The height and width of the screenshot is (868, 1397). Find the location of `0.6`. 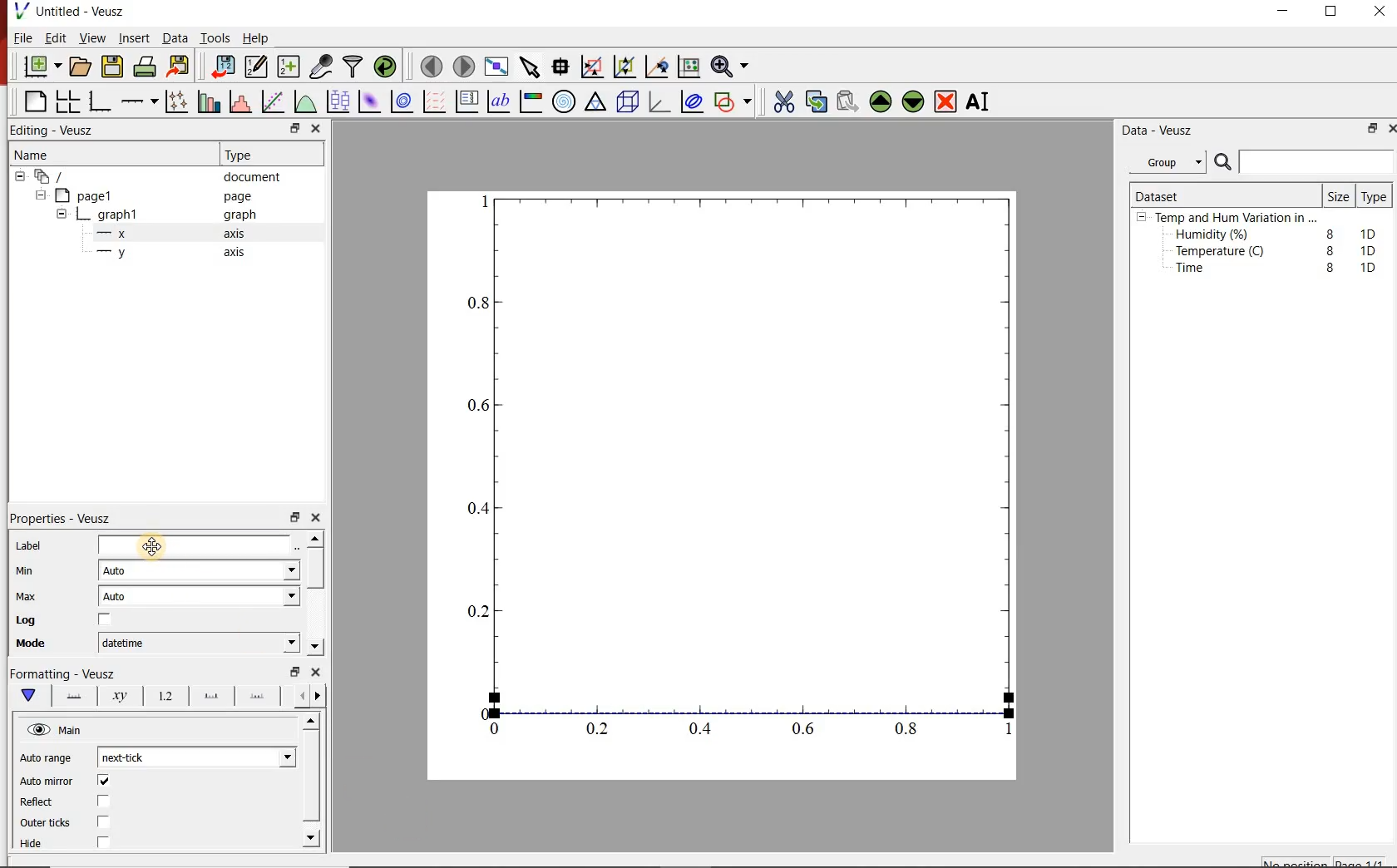

0.6 is located at coordinates (804, 728).